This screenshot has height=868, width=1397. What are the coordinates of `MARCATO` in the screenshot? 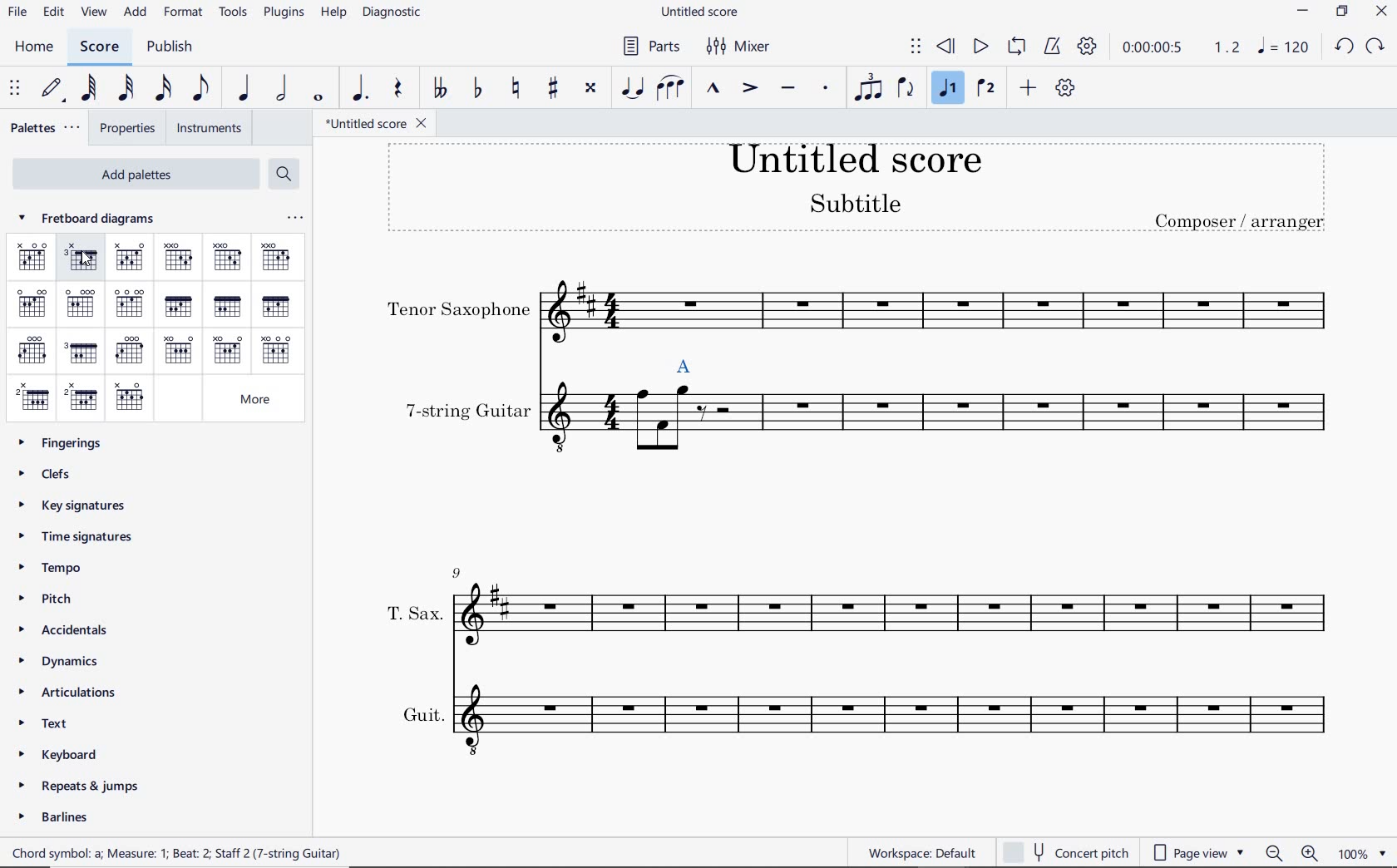 It's located at (712, 89).